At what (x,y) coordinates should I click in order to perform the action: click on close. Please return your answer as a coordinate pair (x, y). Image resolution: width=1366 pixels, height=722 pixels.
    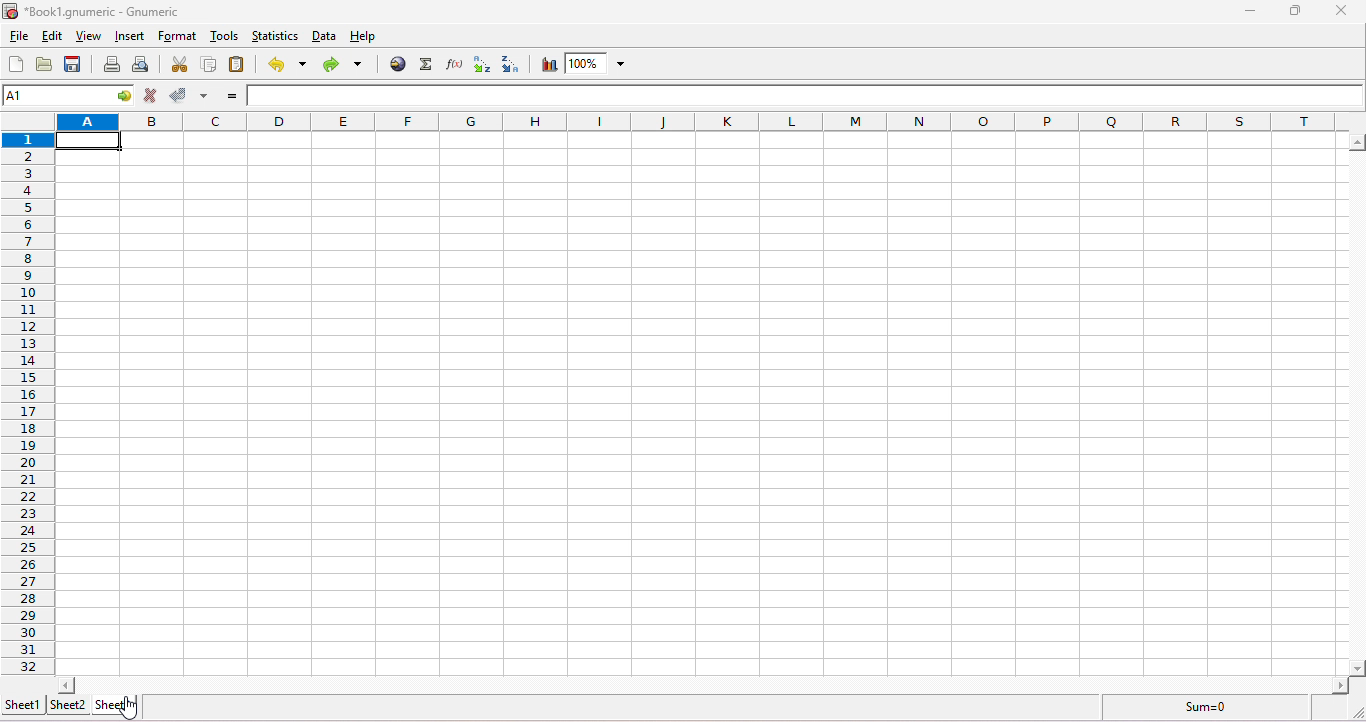
    Looking at the image, I should click on (1348, 9).